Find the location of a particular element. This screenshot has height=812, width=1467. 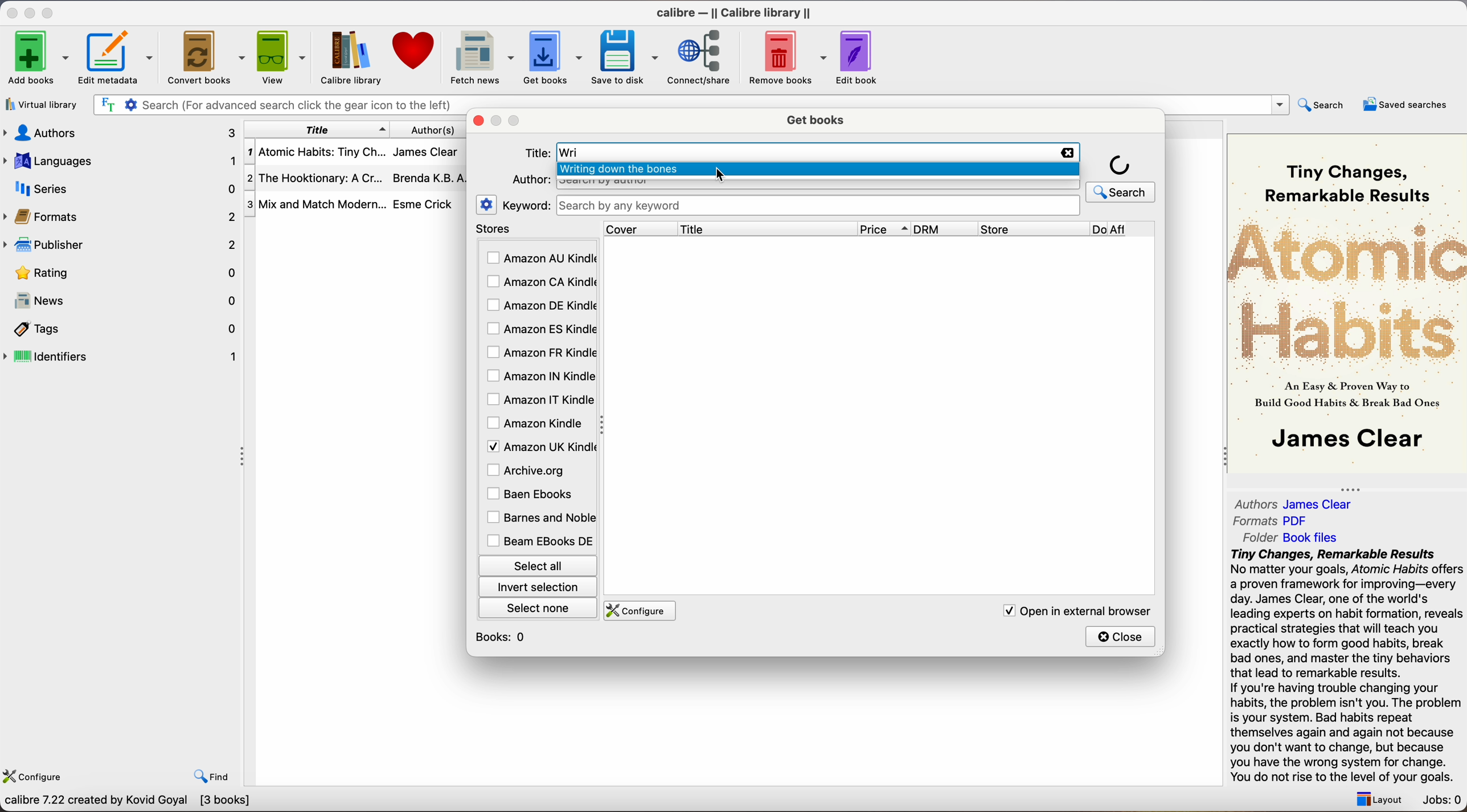

authors is located at coordinates (440, 129).